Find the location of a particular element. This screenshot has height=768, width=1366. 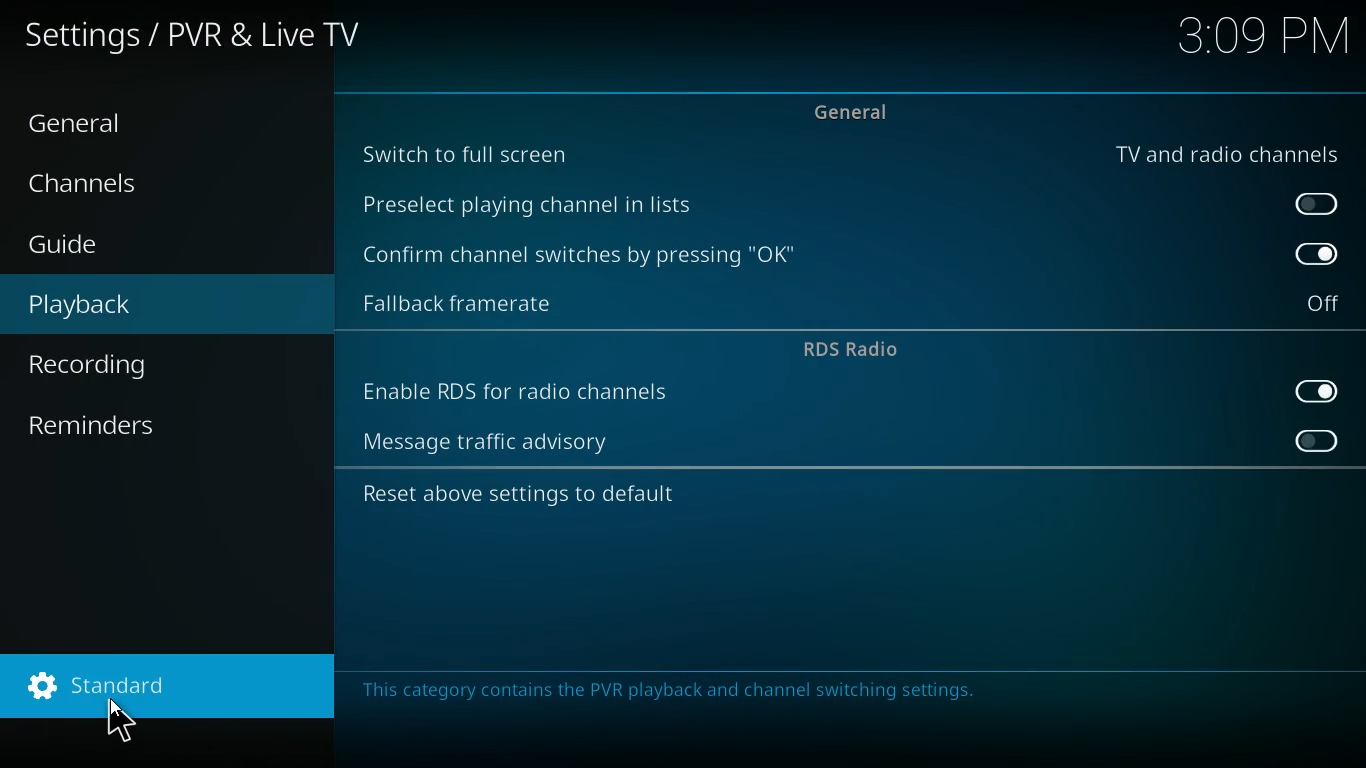

settings is located at coordinates (198, 39).